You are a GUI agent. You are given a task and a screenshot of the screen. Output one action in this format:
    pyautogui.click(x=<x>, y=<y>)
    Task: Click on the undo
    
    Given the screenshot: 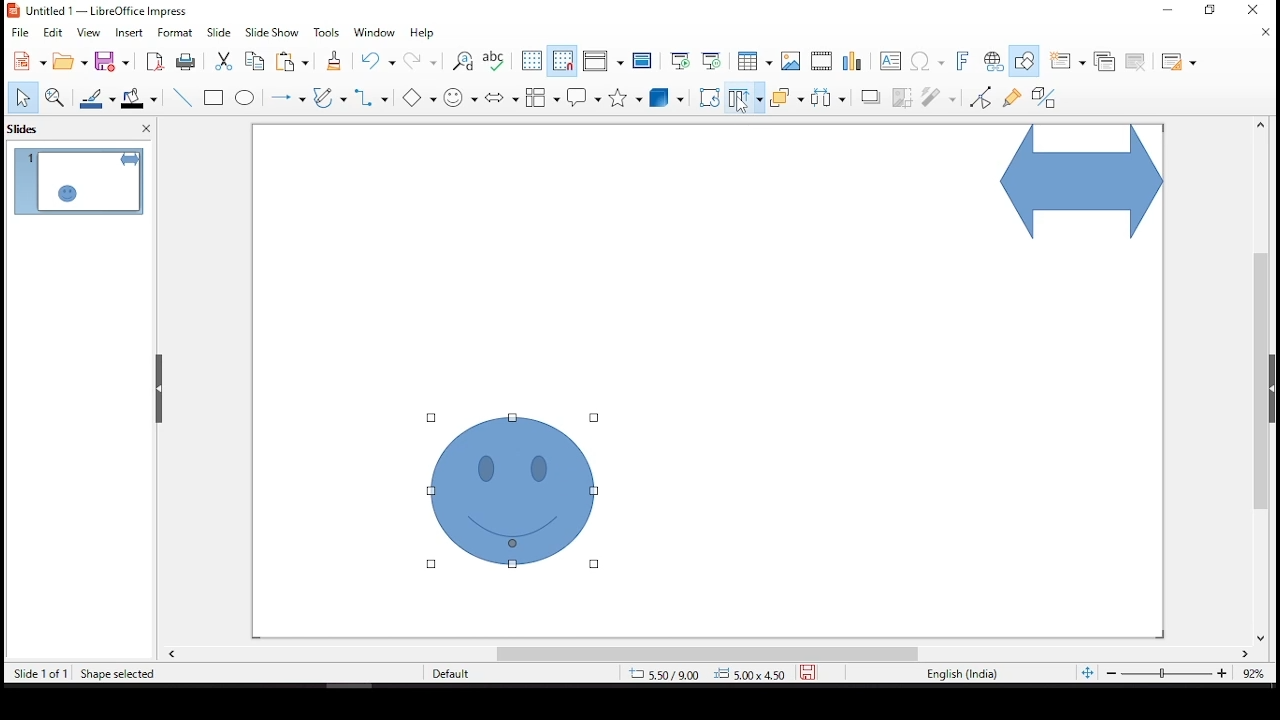 What is the action you would take?
    pyautogui.click(x=382, y=61)
    